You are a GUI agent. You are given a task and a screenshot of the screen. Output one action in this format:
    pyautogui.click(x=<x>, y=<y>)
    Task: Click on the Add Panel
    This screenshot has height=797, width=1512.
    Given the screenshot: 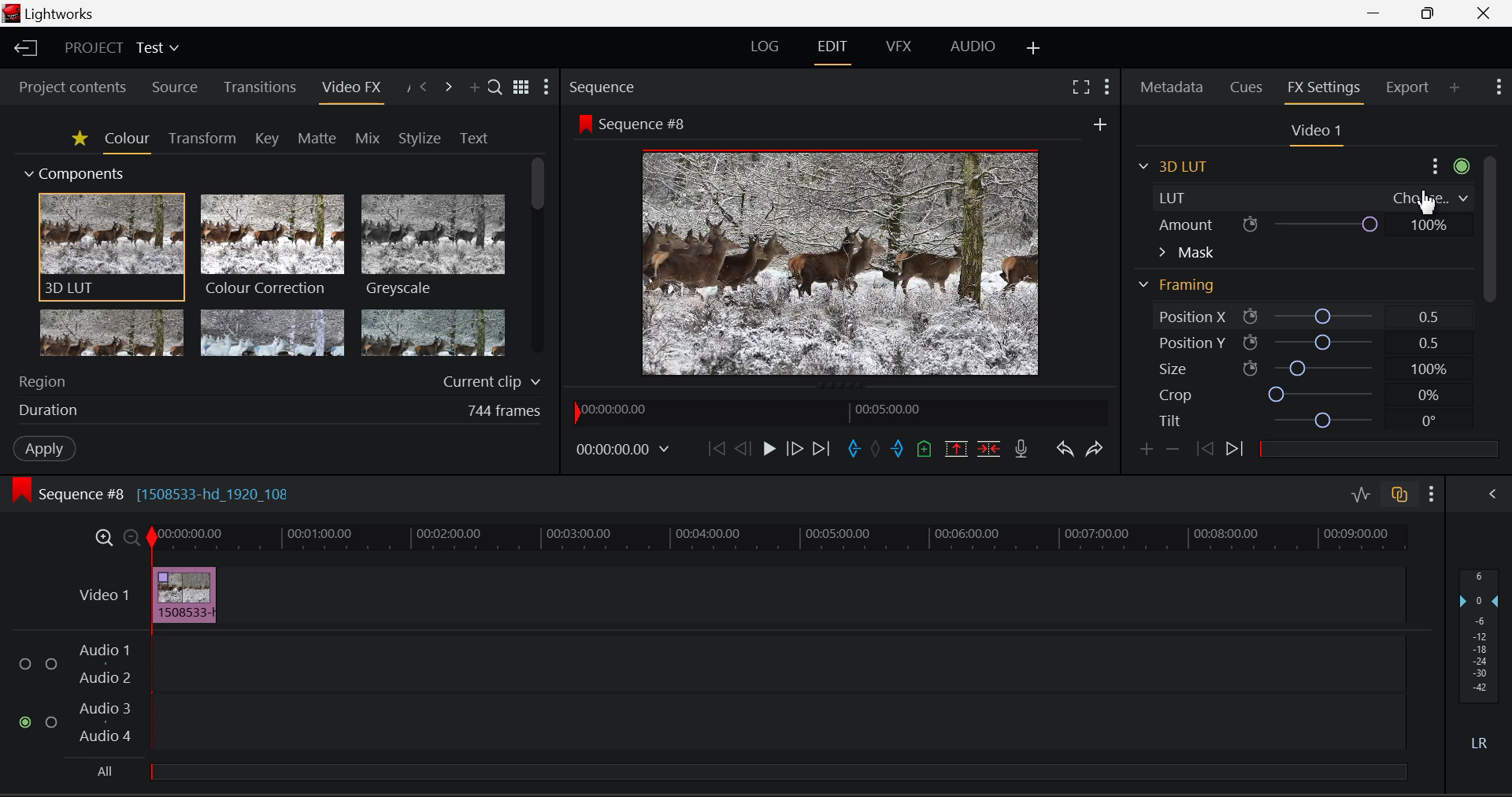 What is the action you would take?
    pyautogui.click(x=1455, y=89)
    